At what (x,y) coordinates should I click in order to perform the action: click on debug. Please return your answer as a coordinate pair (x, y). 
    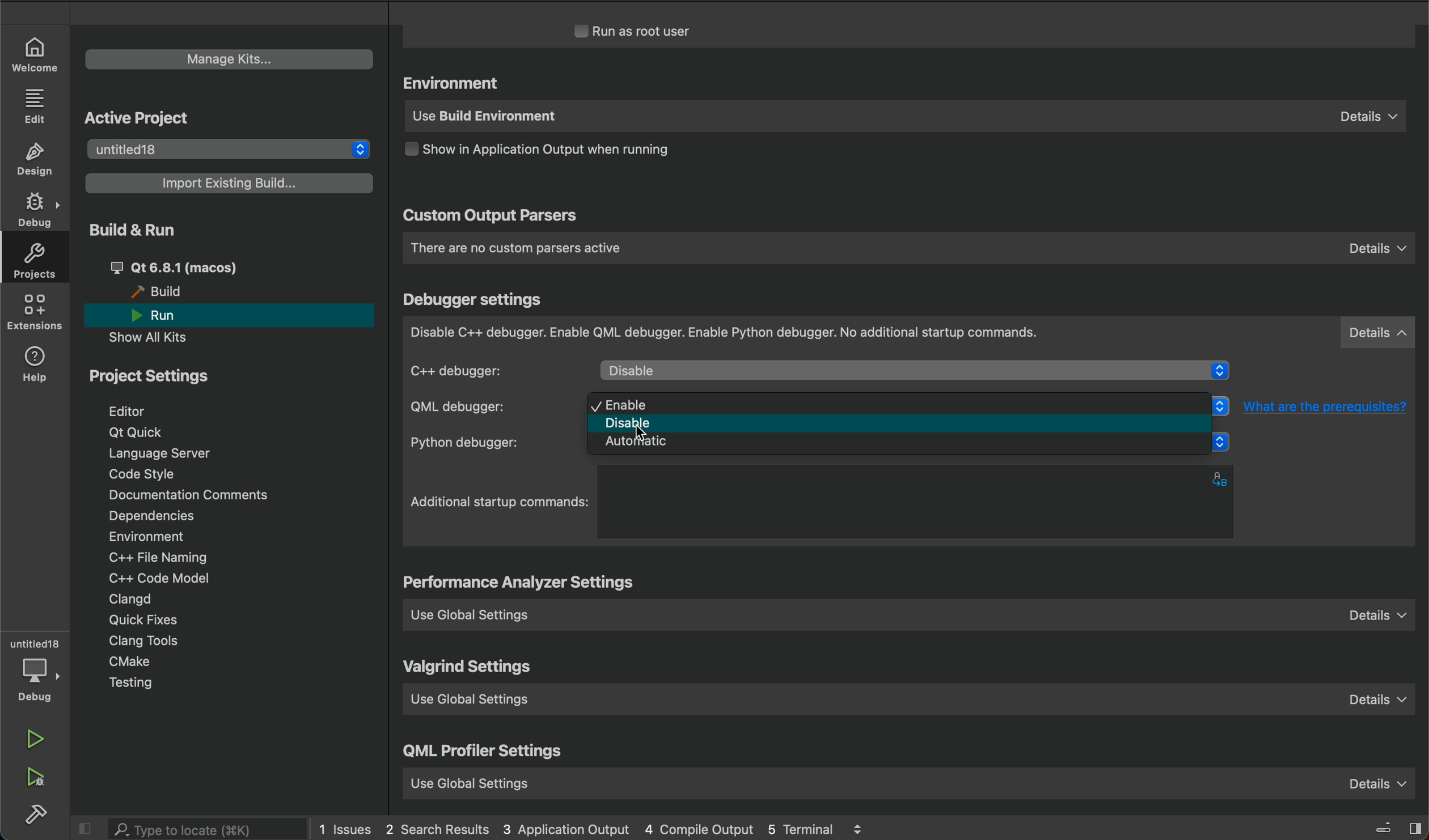
    Looking at the image, I should click on (40, 680).